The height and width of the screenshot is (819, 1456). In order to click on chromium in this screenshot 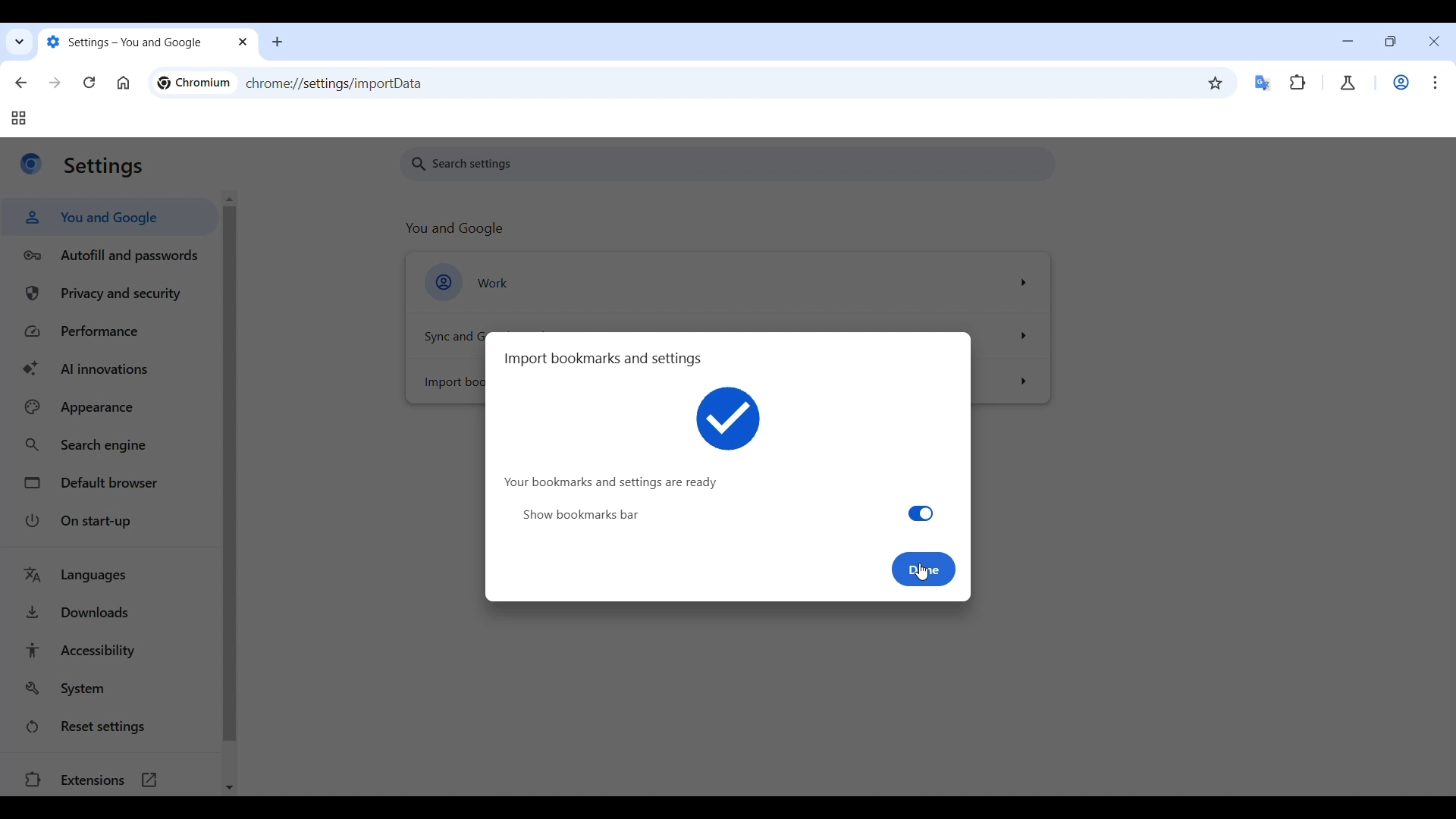, I will do `click(193, 83)`.